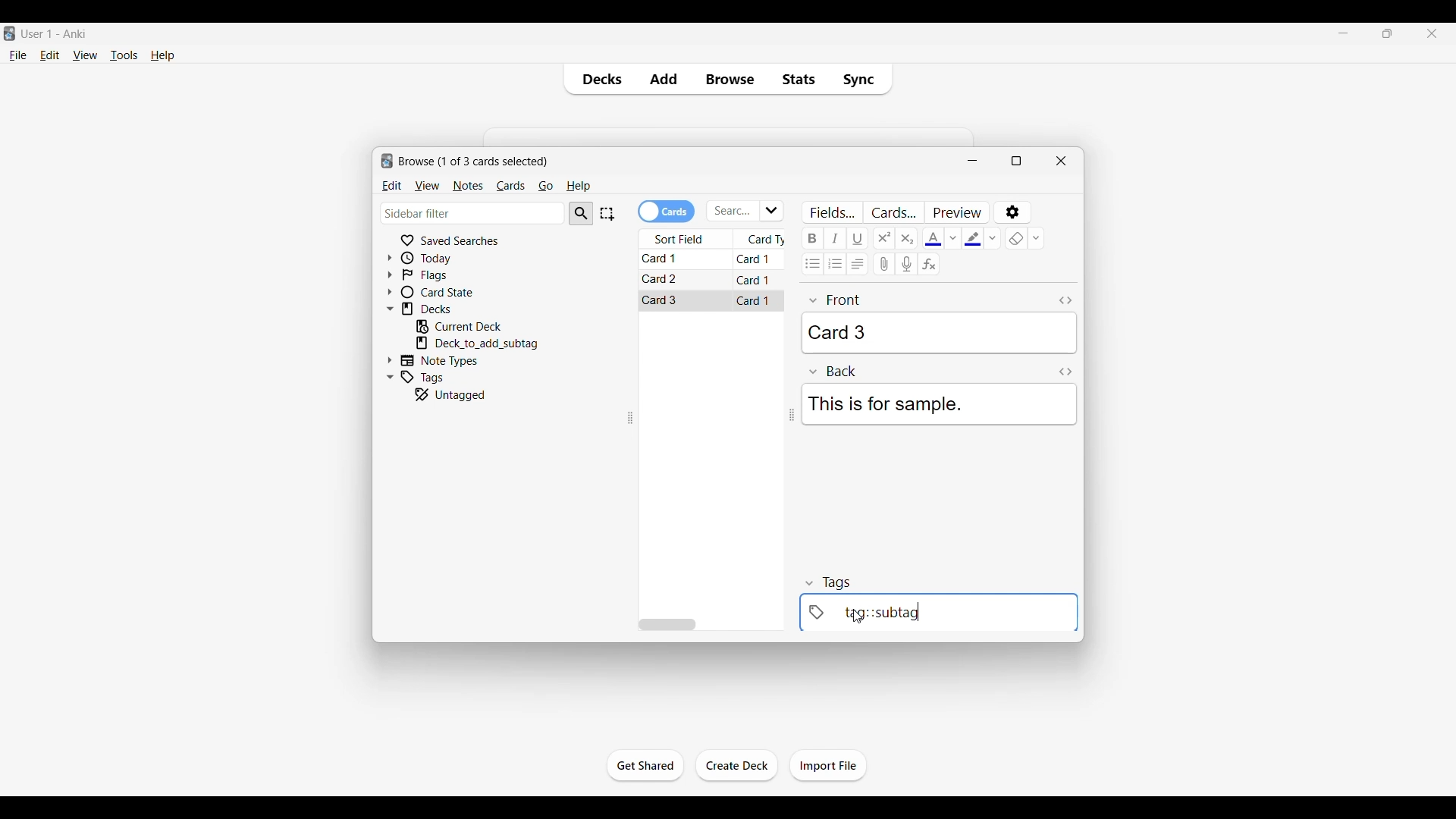  Describe the element at coordinates (833, 372) in the screenshot. I see `Back` at that location.